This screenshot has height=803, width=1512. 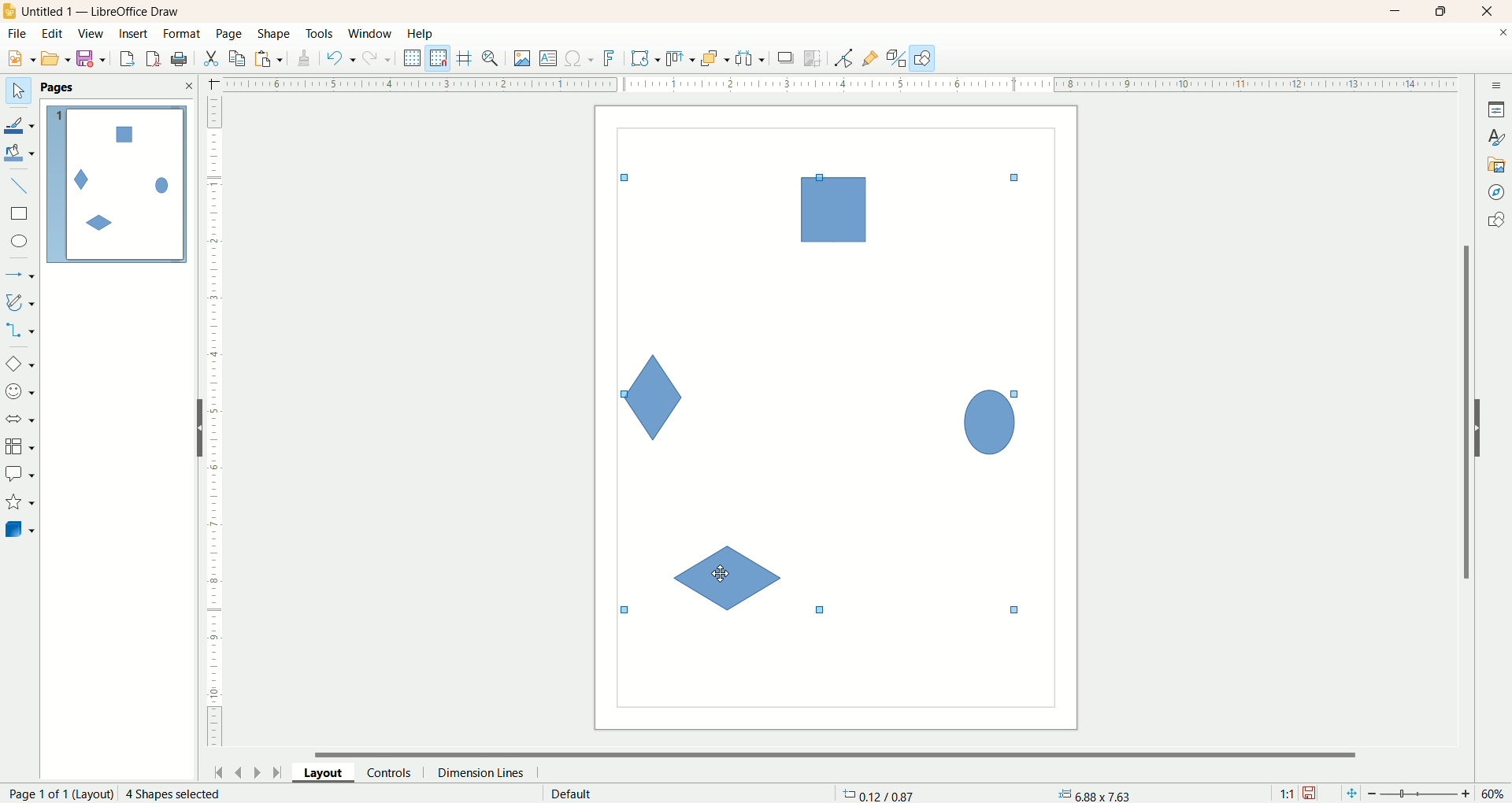 I want to click on sidebar settings, so click(x=1497, y=83).